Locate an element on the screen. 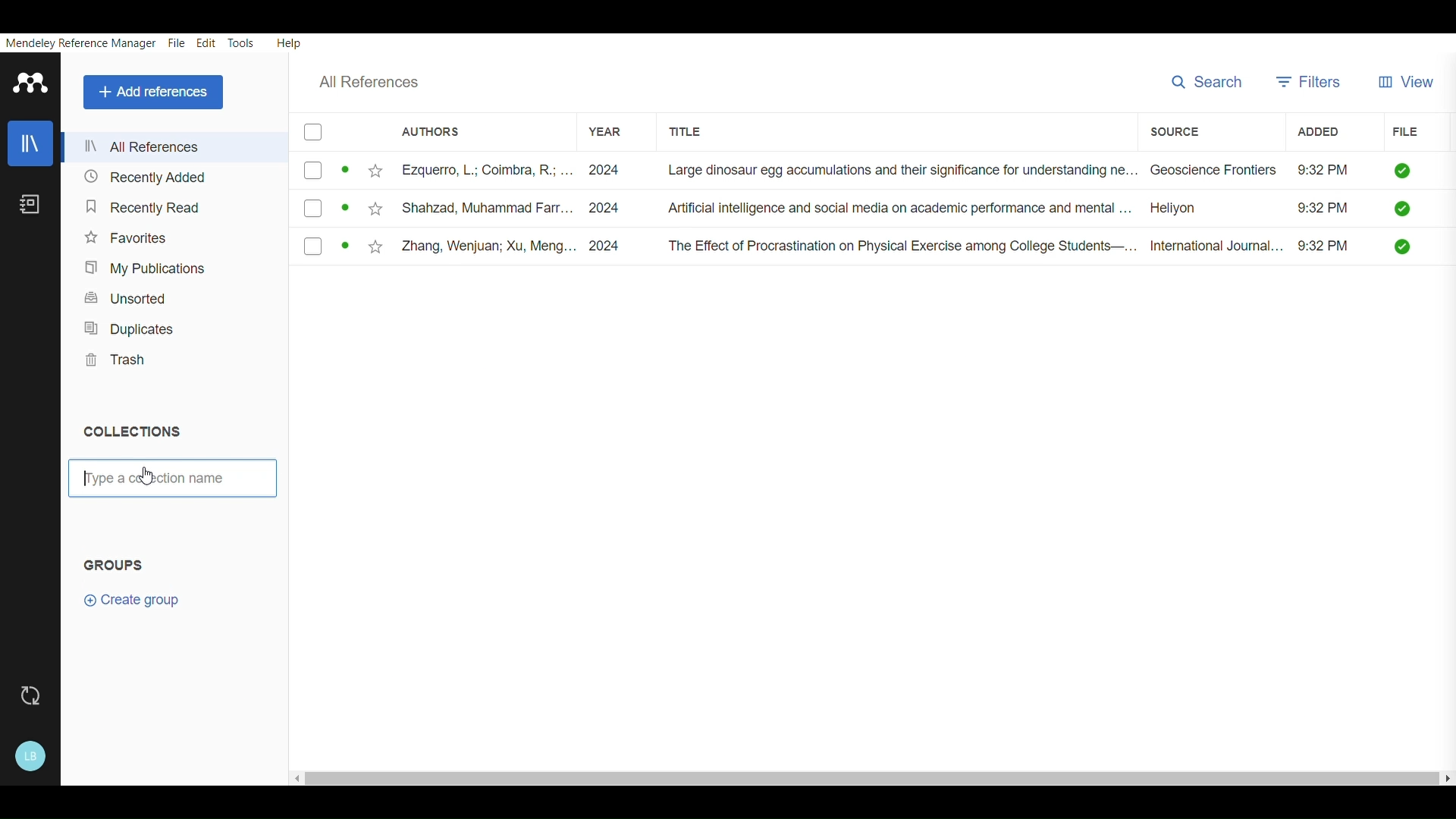  Textbox is located at coordinates (169, 481).